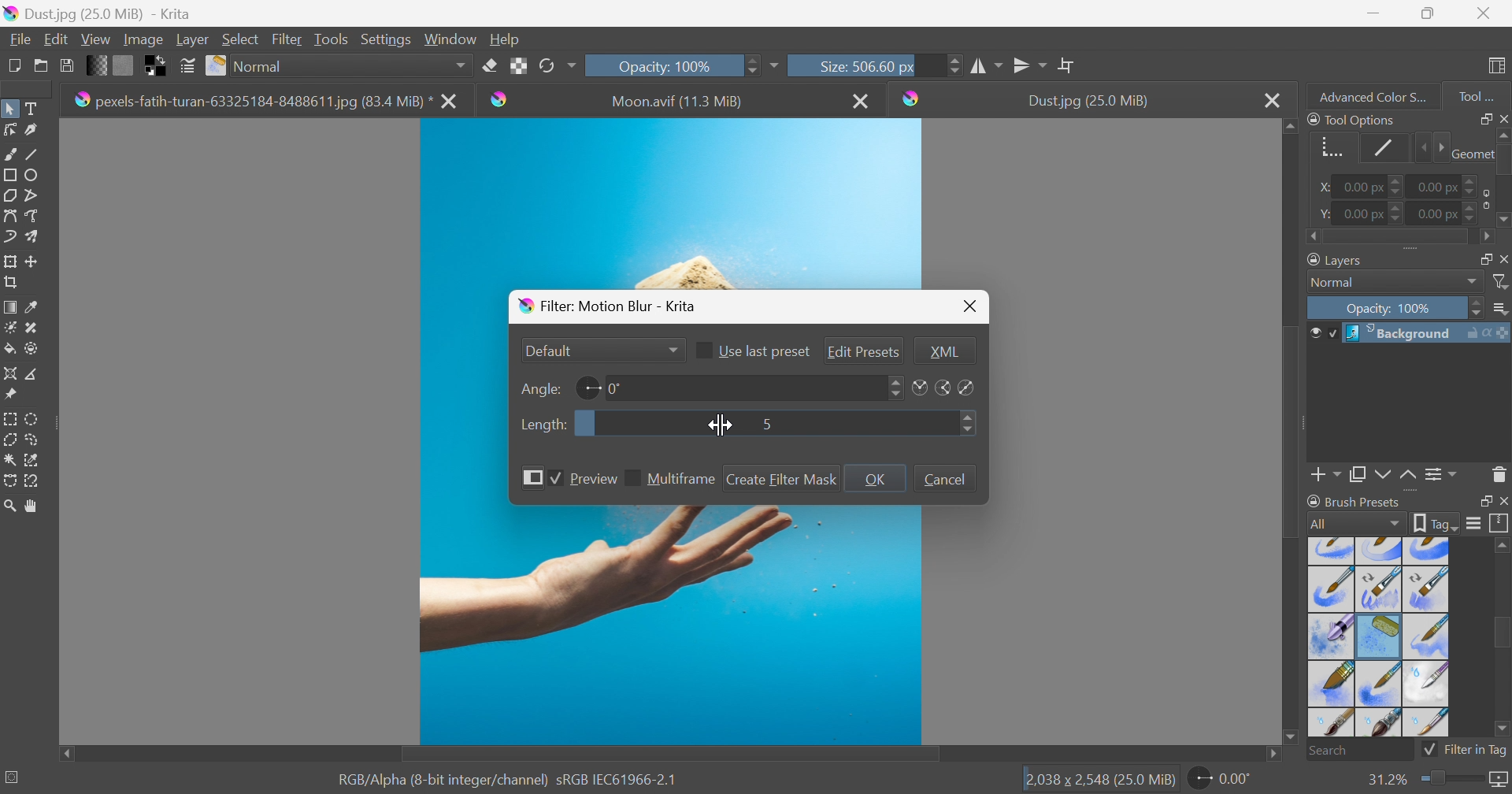 This screenshot has height=794, width=1512. What do you see at coordinates (1326, 477) in the screenshot?
I see `Add Layer` at bounding box center [1326, 477].